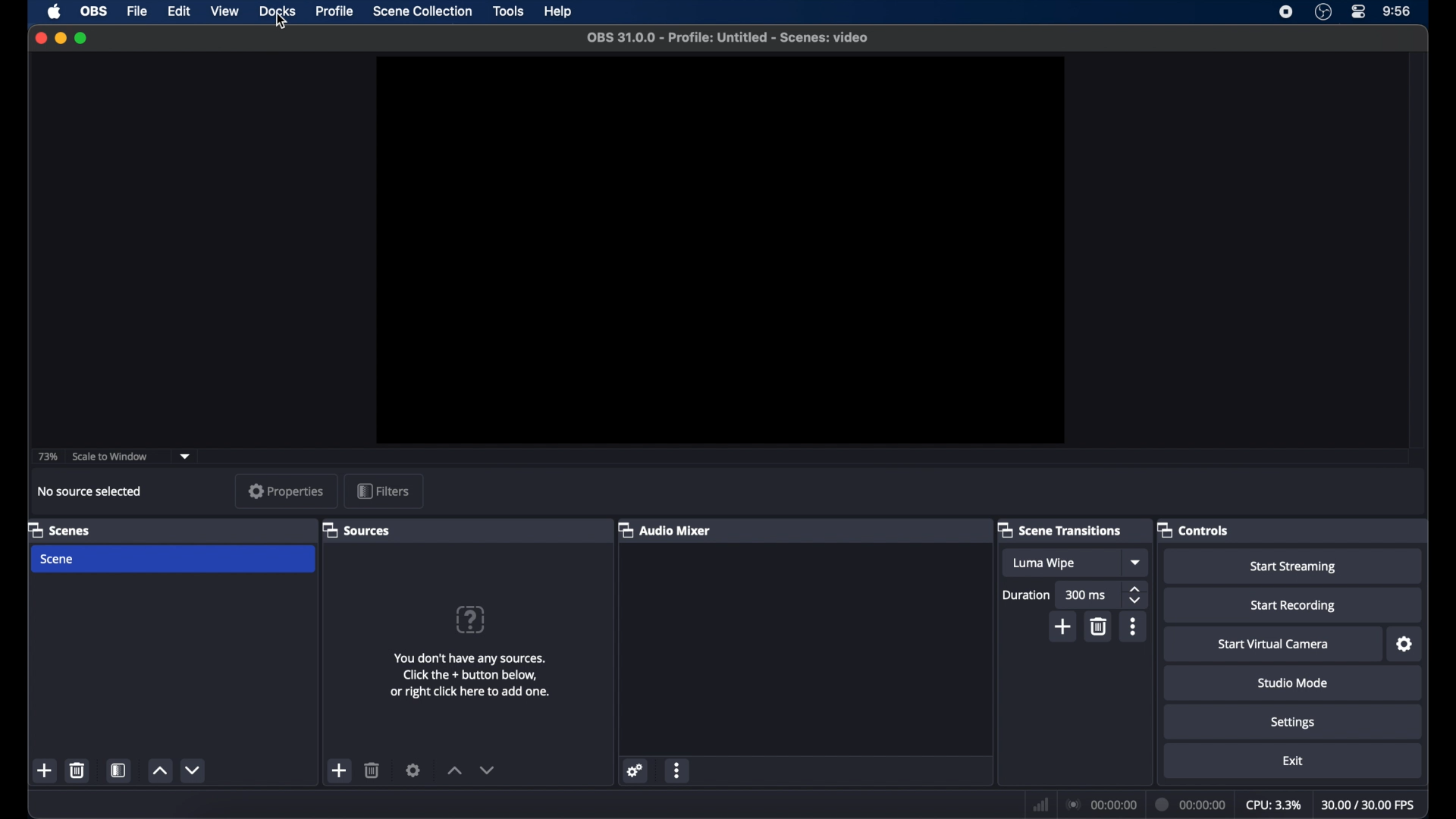 The height and width of the screenshot is (819, 1456). I want to click on edit, so click(178, 11).